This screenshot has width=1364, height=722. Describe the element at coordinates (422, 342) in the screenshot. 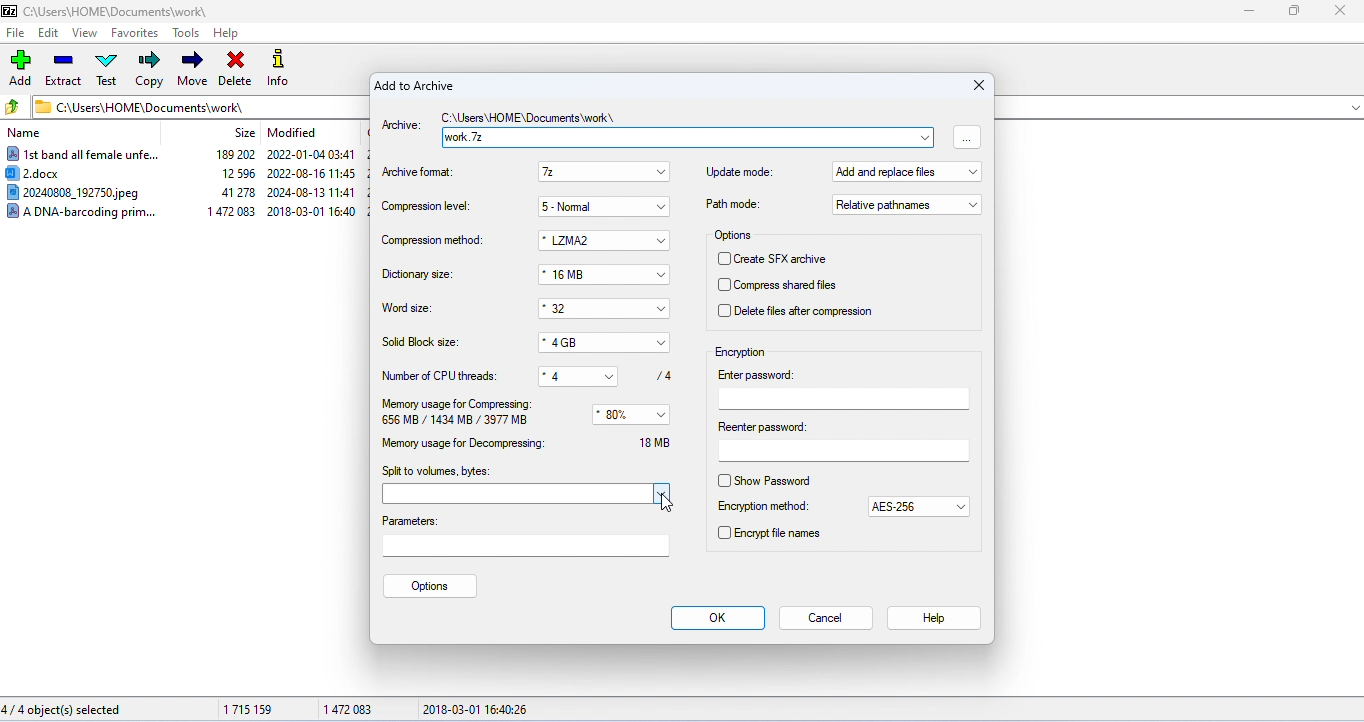

I see `solid block size` at that location.